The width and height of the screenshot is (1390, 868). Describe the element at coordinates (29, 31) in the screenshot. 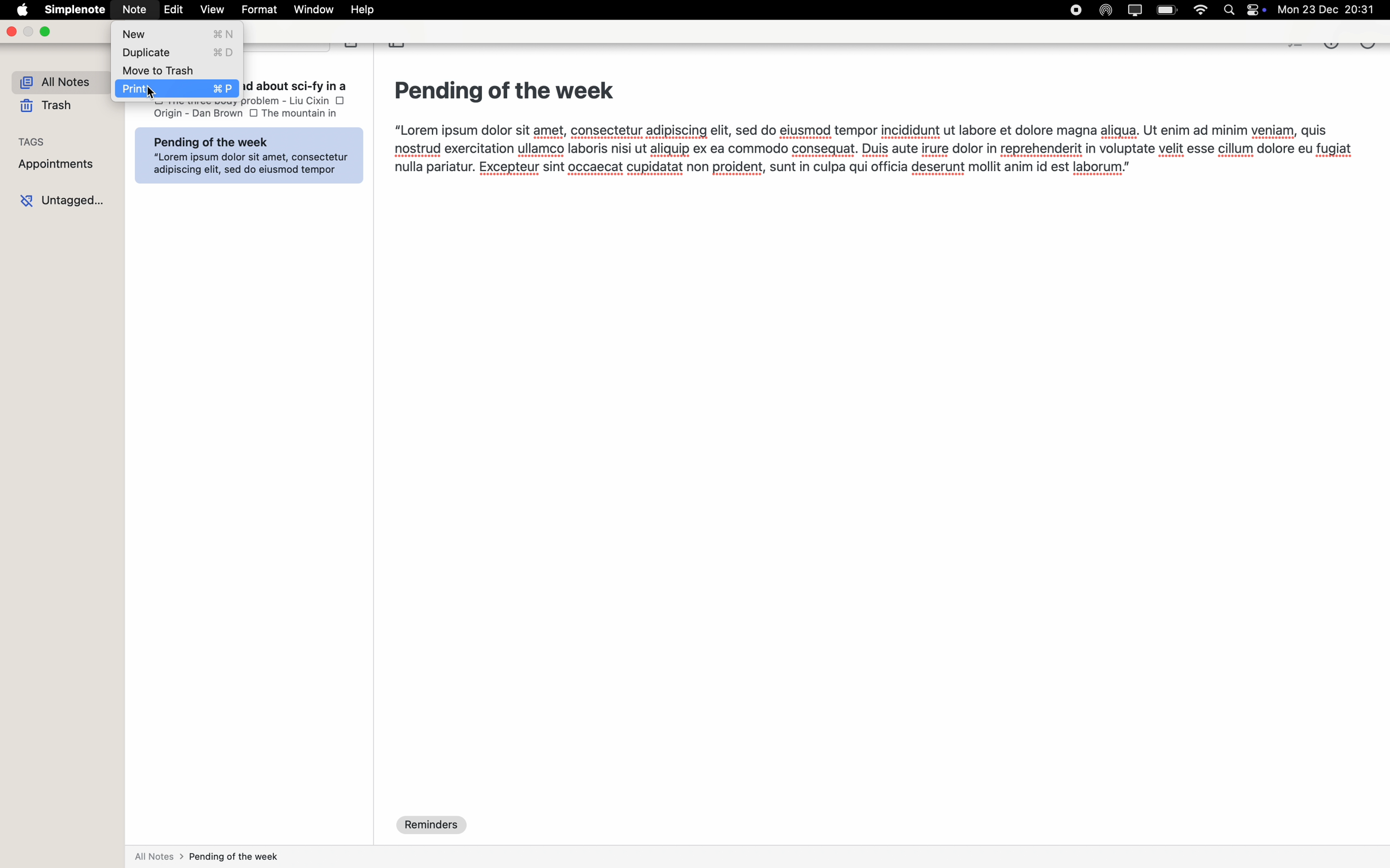

I see `minimize Simplenote` at that location.